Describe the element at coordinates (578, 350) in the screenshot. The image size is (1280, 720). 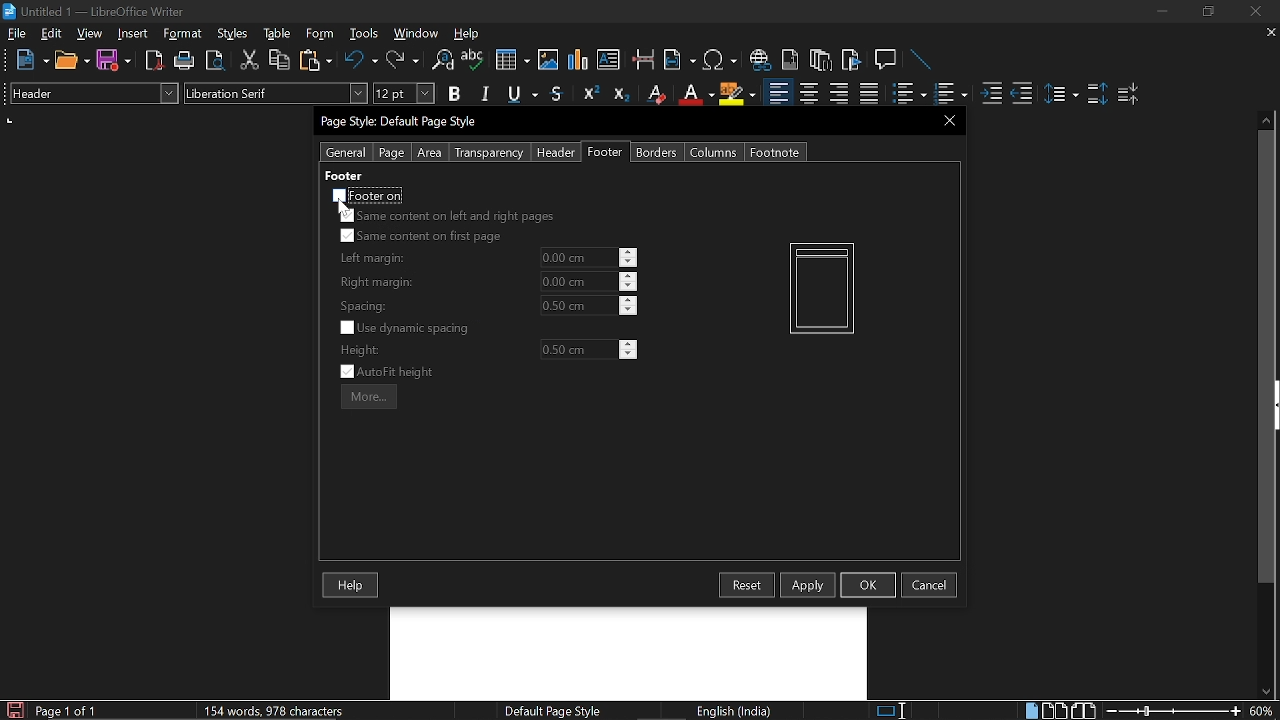
I see `Height` at that location.